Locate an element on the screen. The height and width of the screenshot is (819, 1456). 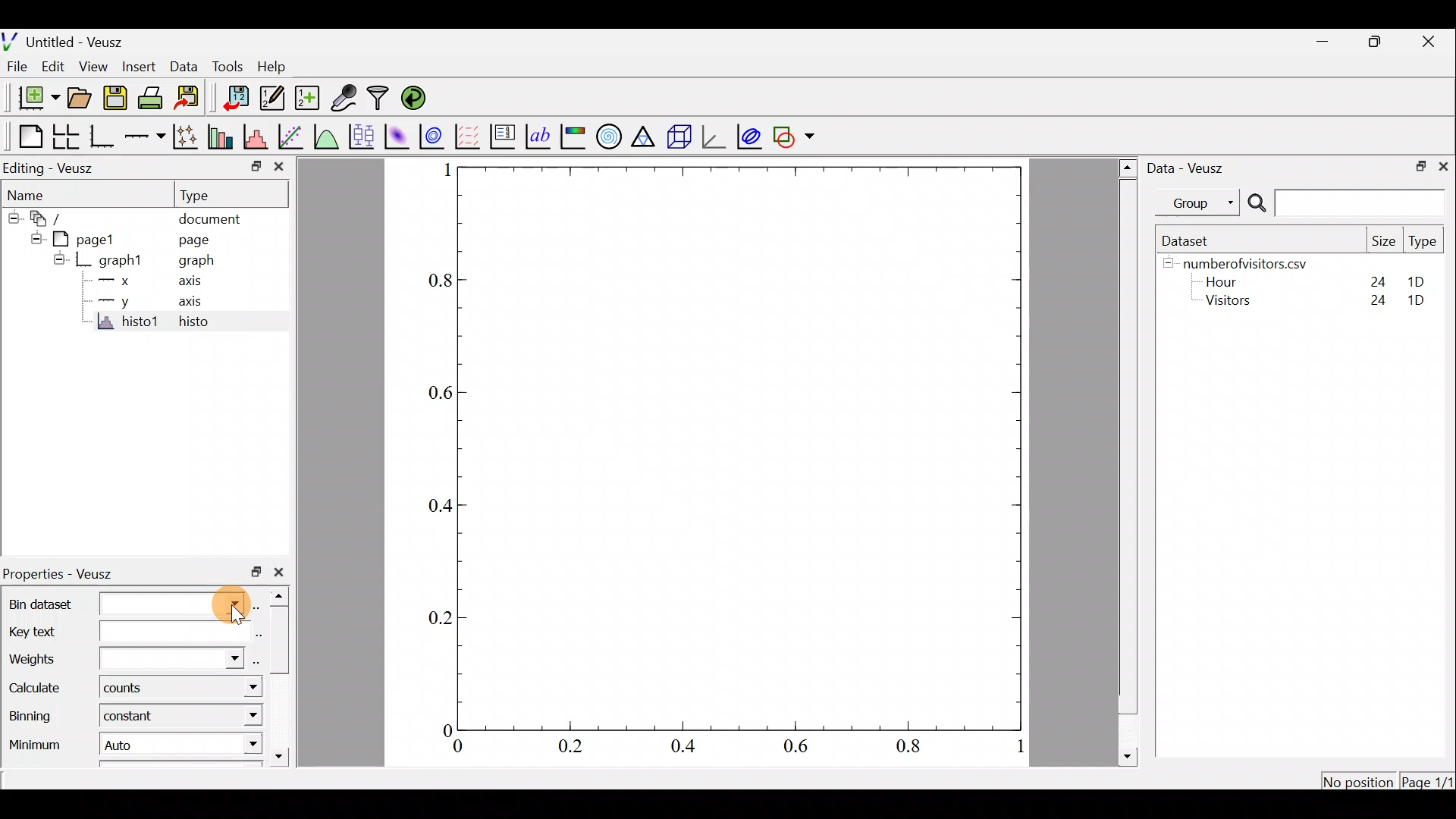
Key text is located at coordinates (123, 633).